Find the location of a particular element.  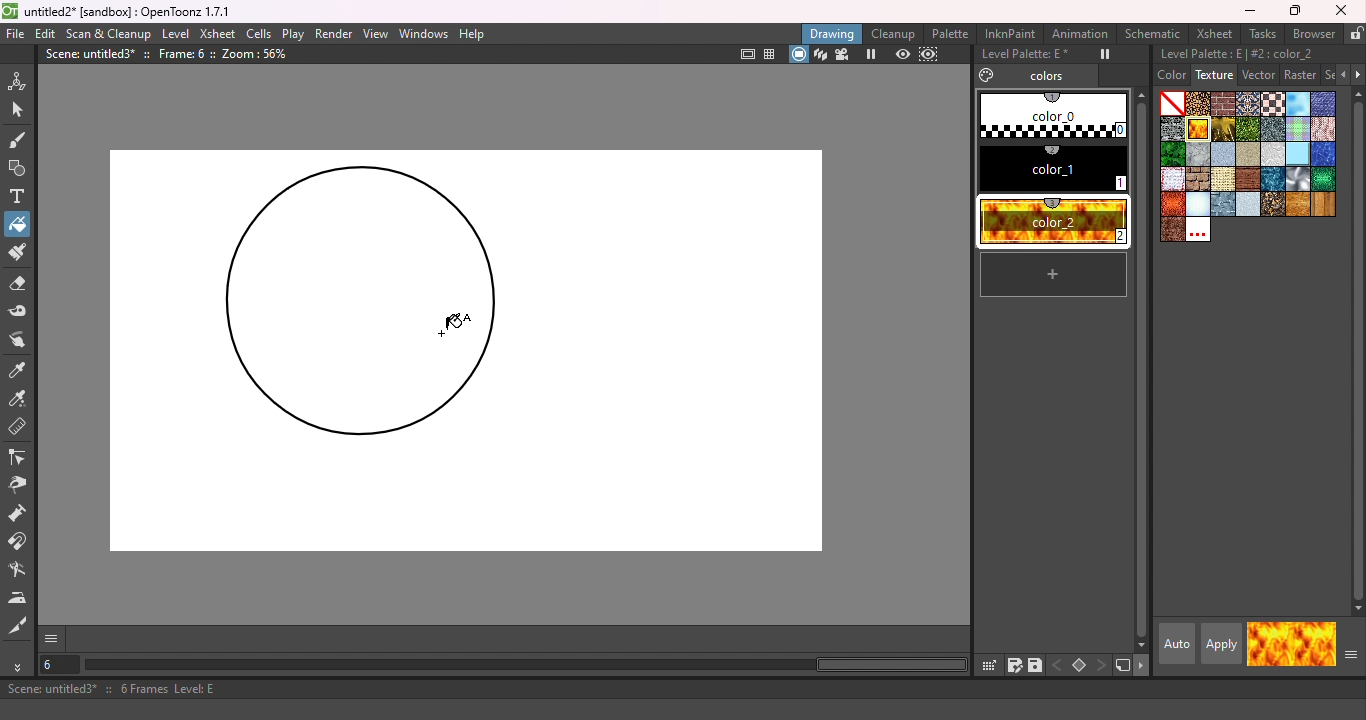

Set key is located at coordinates (1079, 666).